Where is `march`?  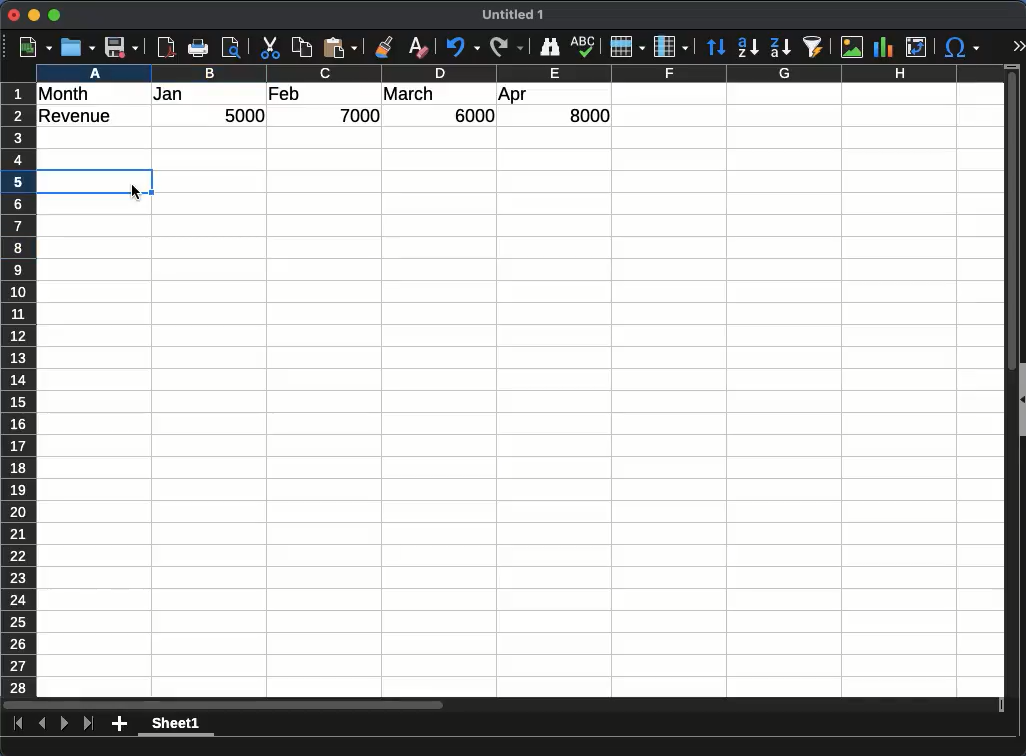
march is located at coordinates (410, 93).